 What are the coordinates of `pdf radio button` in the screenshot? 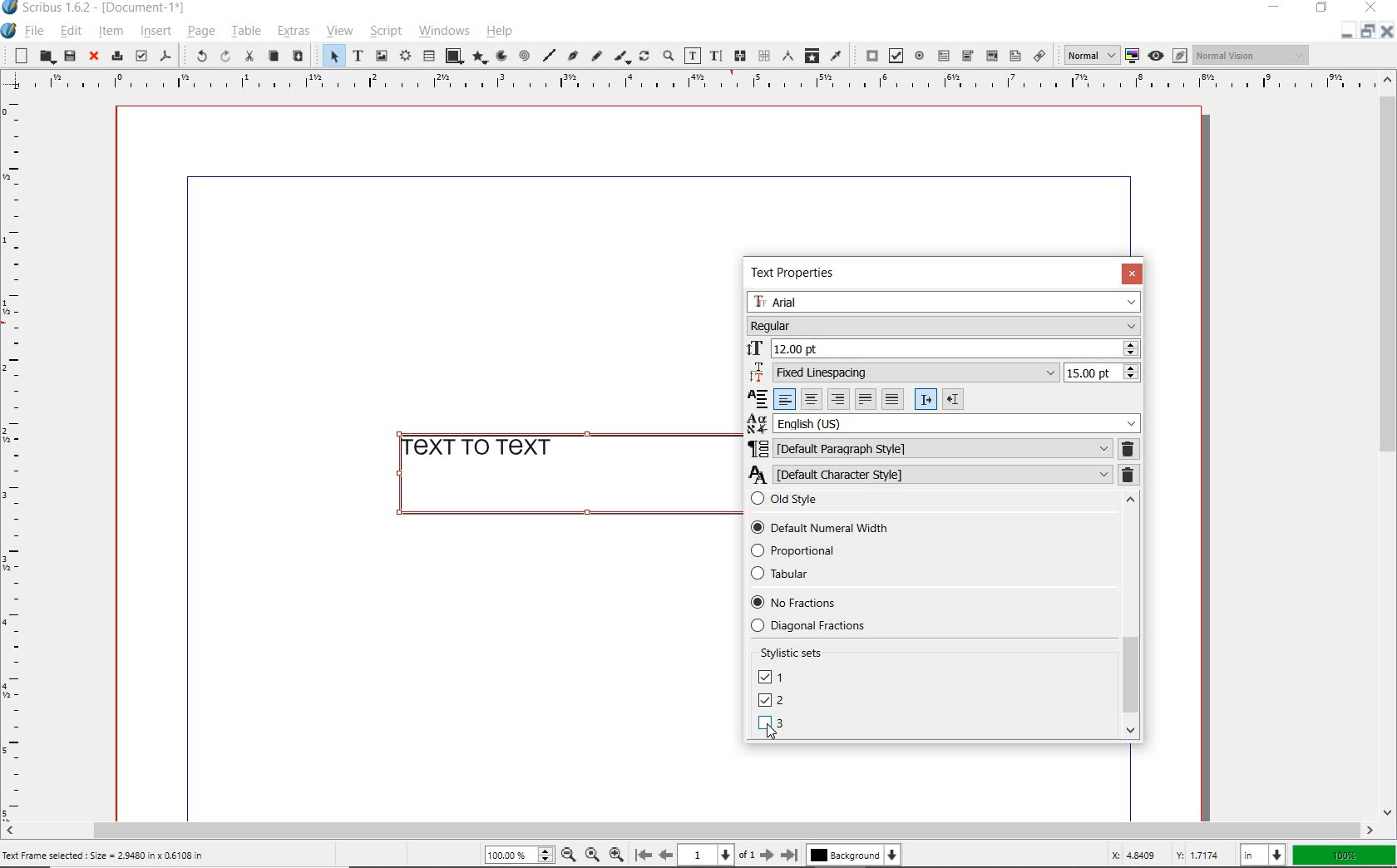 It's located at (920, 57).